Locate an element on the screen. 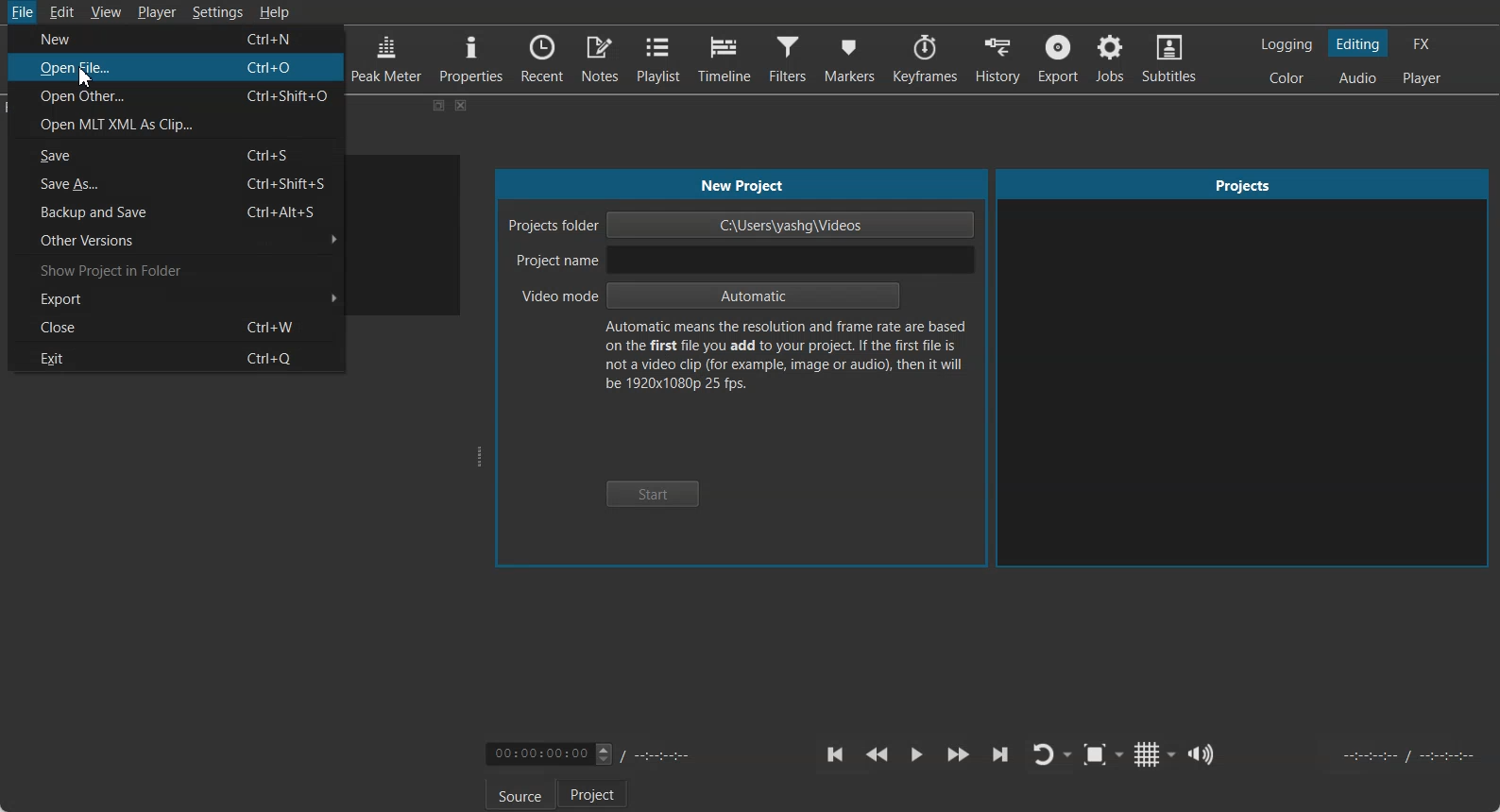  Skip to the next point is located at coordinates (999, 753).